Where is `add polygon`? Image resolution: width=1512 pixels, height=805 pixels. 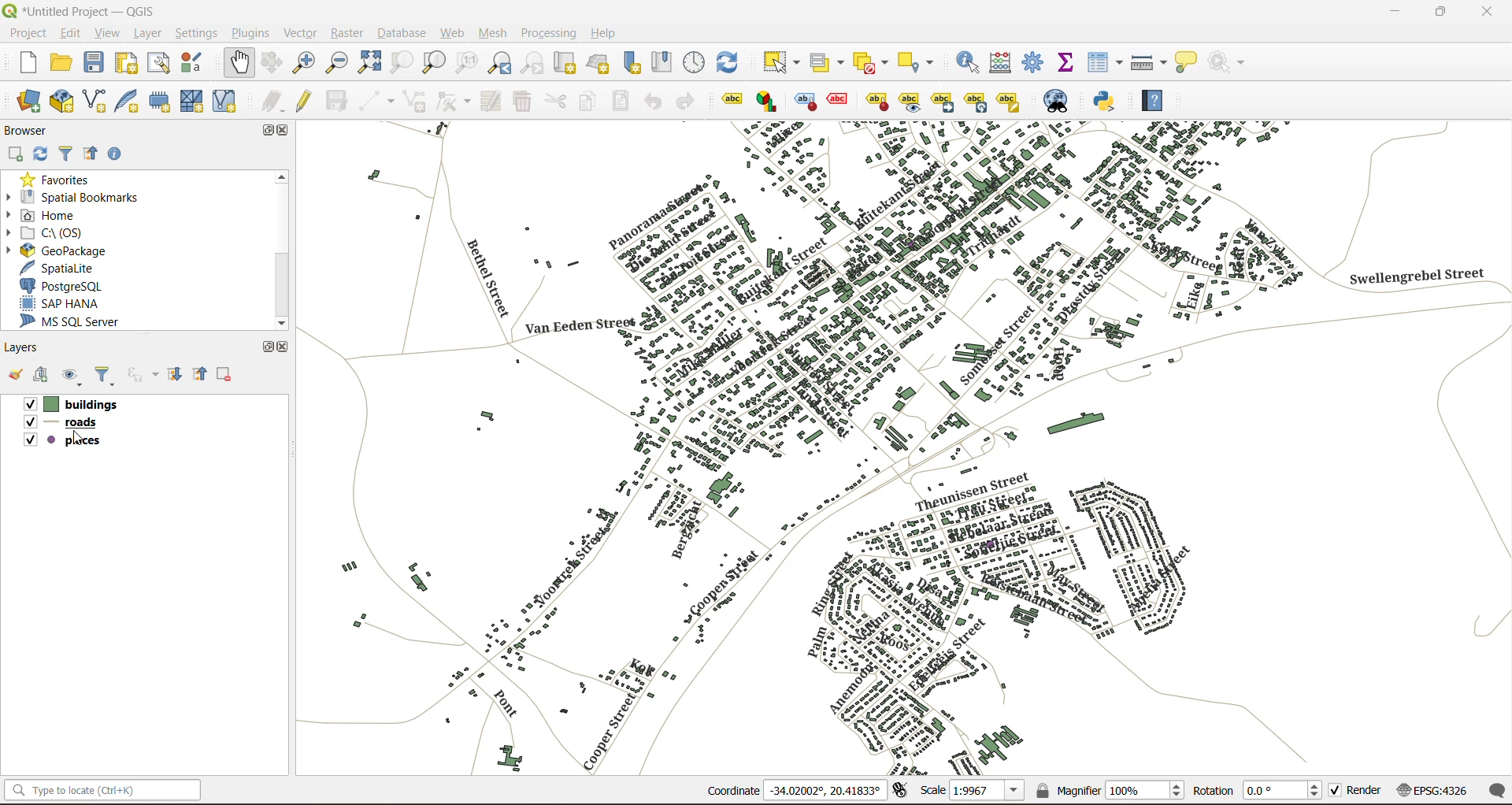
add polygon is located at coordinates (418, 102).